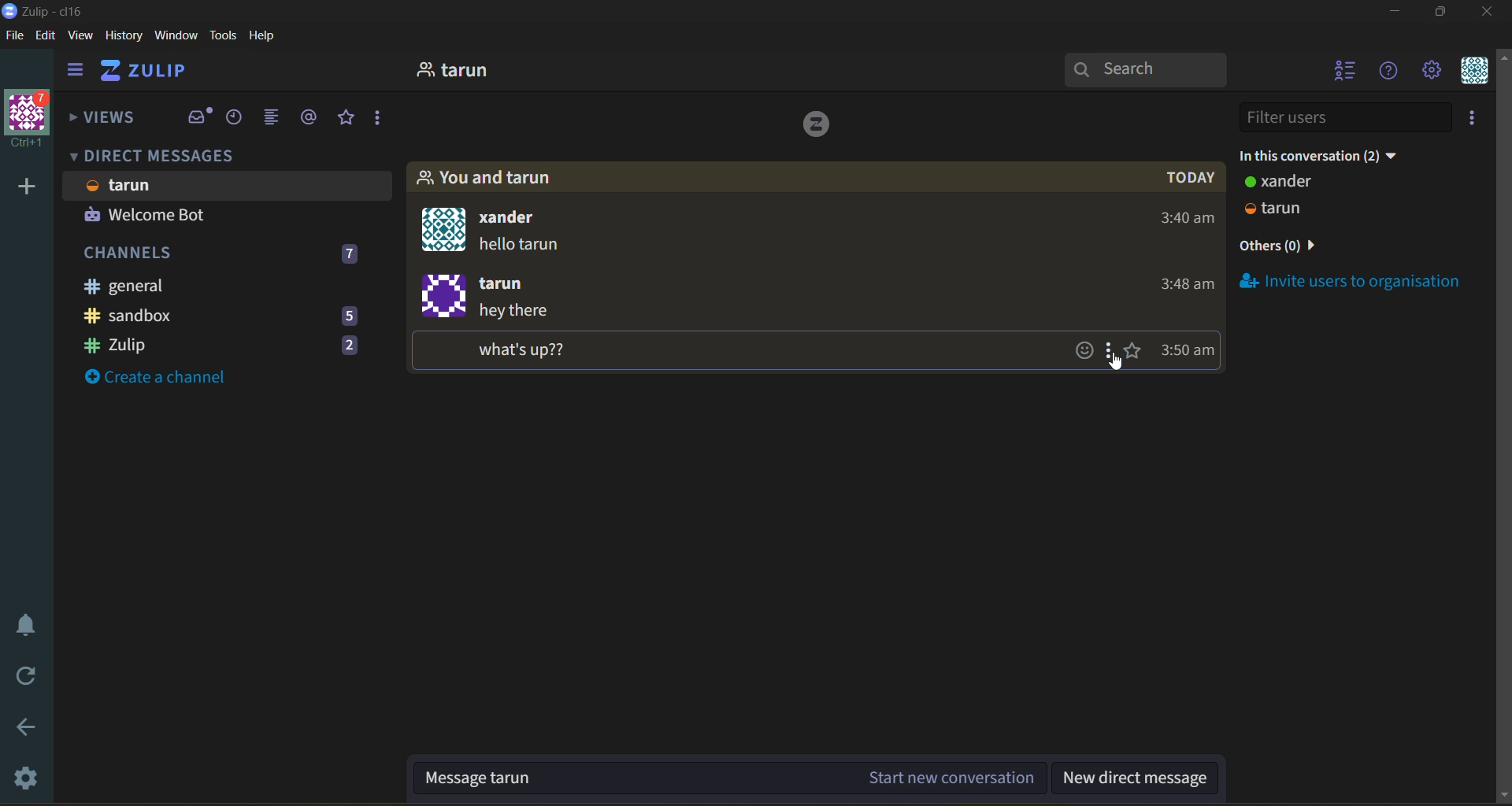 The height and width of the screenshot is (806, 1512). Describe the element at coordinates (178, 38) in the screenshot. I see `window` at that location.